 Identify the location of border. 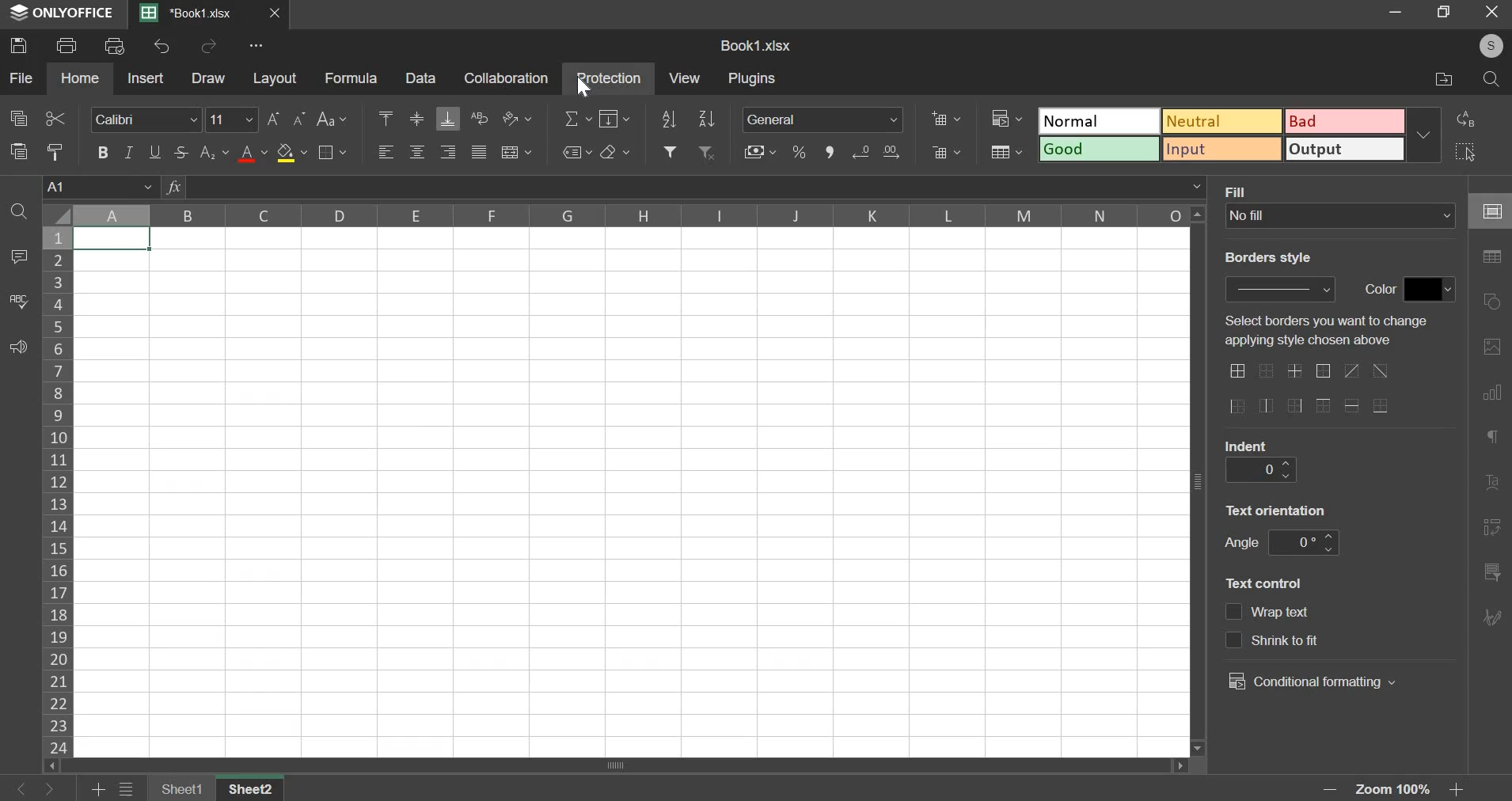
(332, 152).